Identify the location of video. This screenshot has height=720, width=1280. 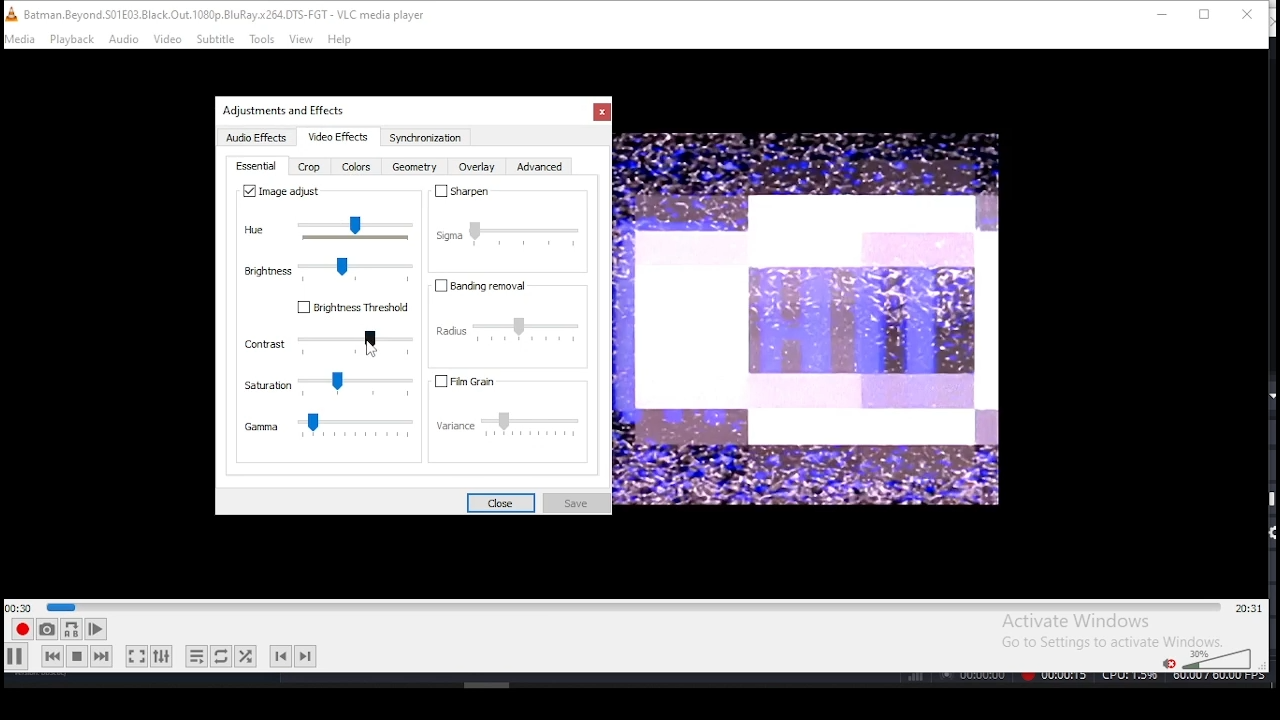
(168, 40).